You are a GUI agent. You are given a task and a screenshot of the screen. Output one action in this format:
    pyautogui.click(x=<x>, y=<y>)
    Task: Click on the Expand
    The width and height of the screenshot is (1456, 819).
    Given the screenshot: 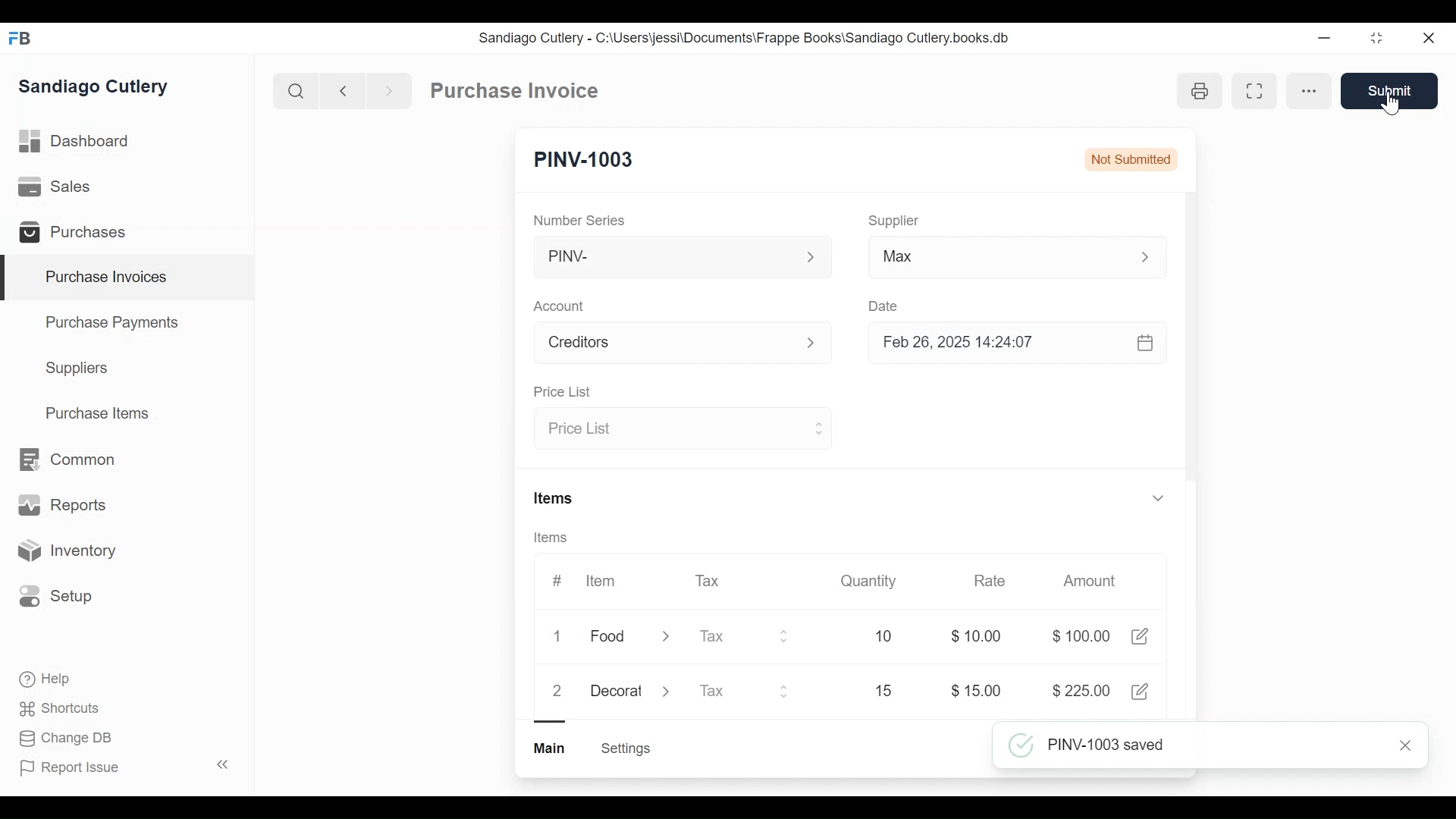 What is the action you would take?
    pyautogui.click(x=1157, y=497)
    